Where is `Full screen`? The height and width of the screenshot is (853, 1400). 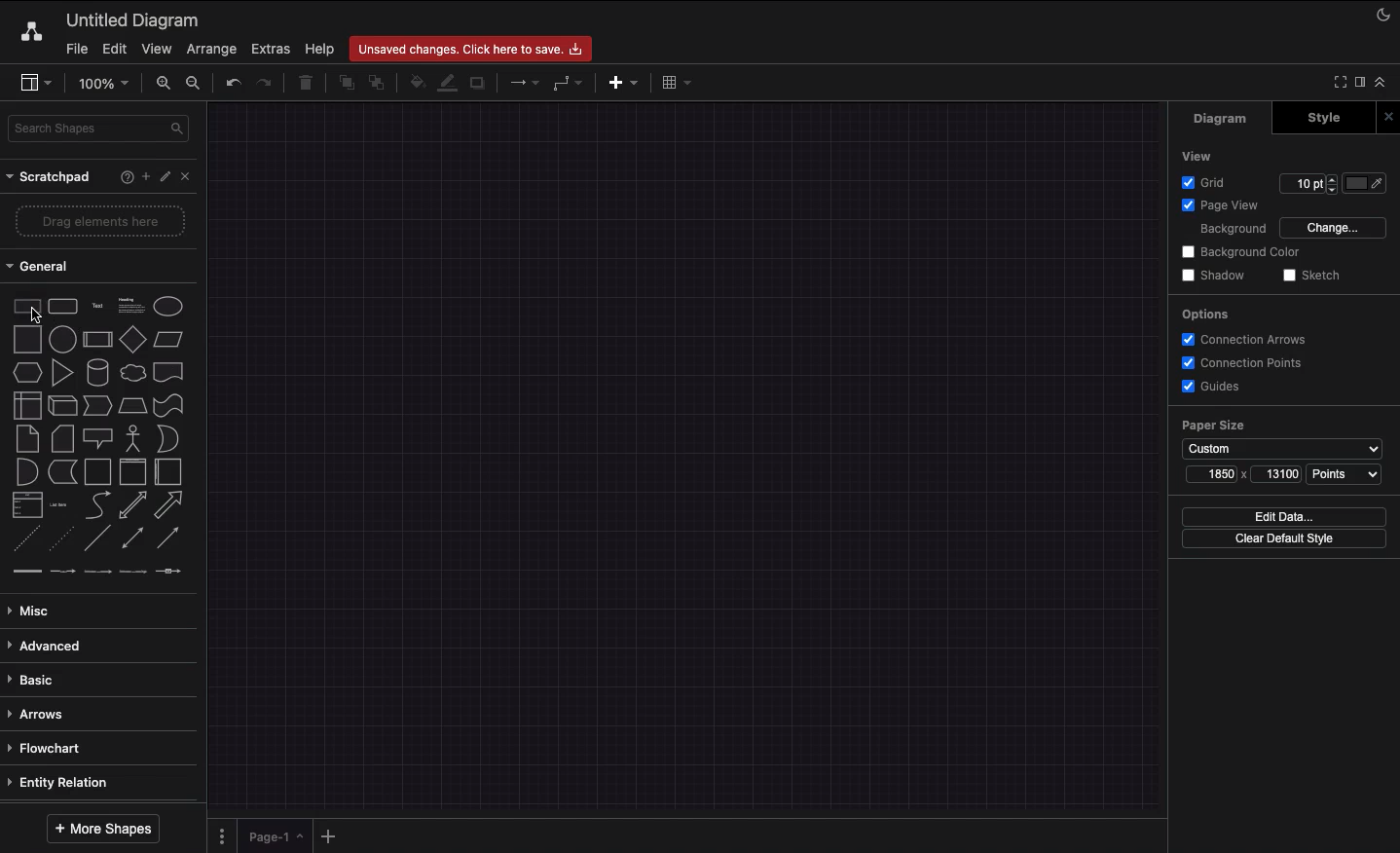 Full screen is located at coordinates (1338, 83).